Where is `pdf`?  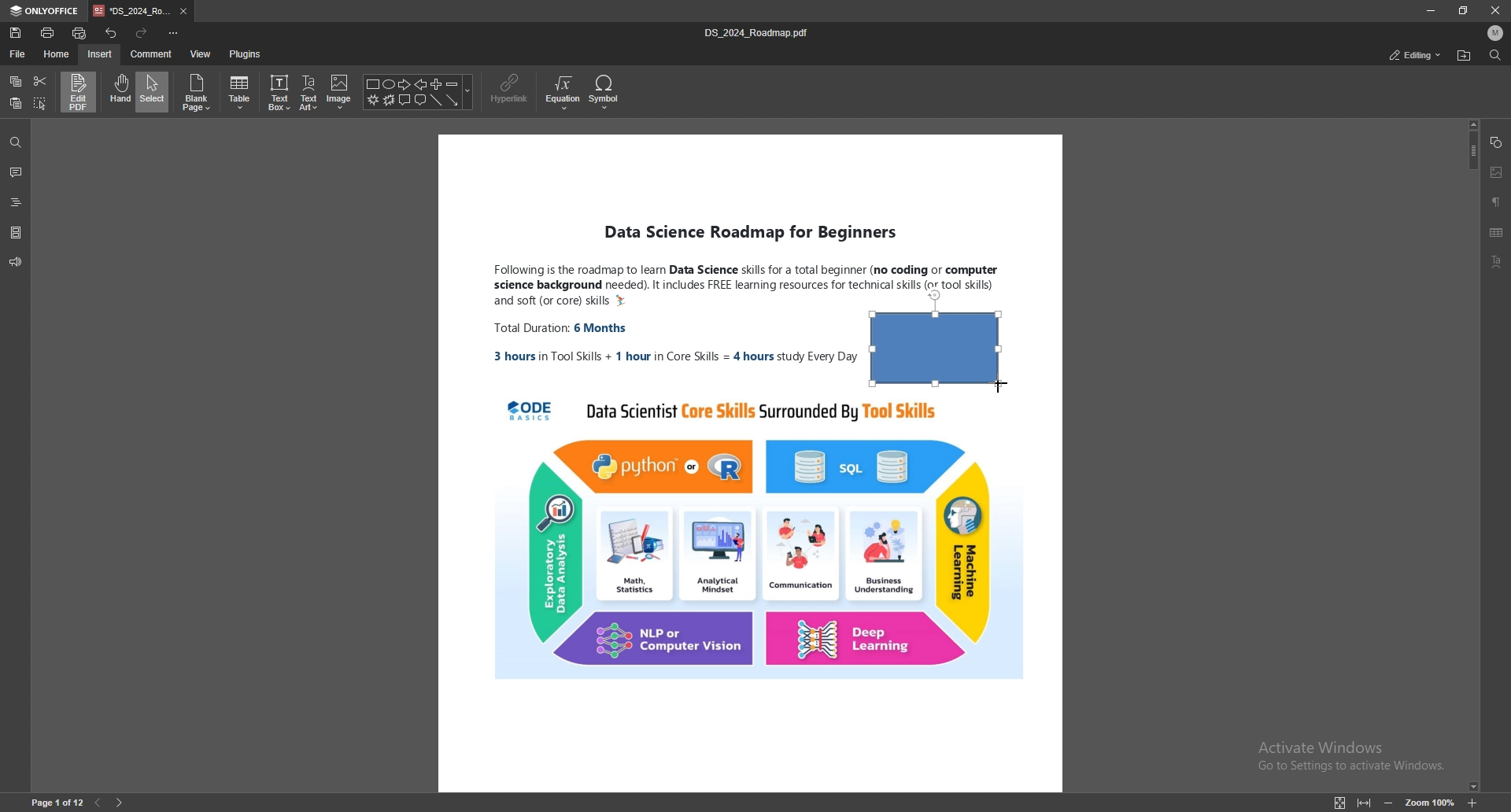 pdf is located at coordinates (628, 464).